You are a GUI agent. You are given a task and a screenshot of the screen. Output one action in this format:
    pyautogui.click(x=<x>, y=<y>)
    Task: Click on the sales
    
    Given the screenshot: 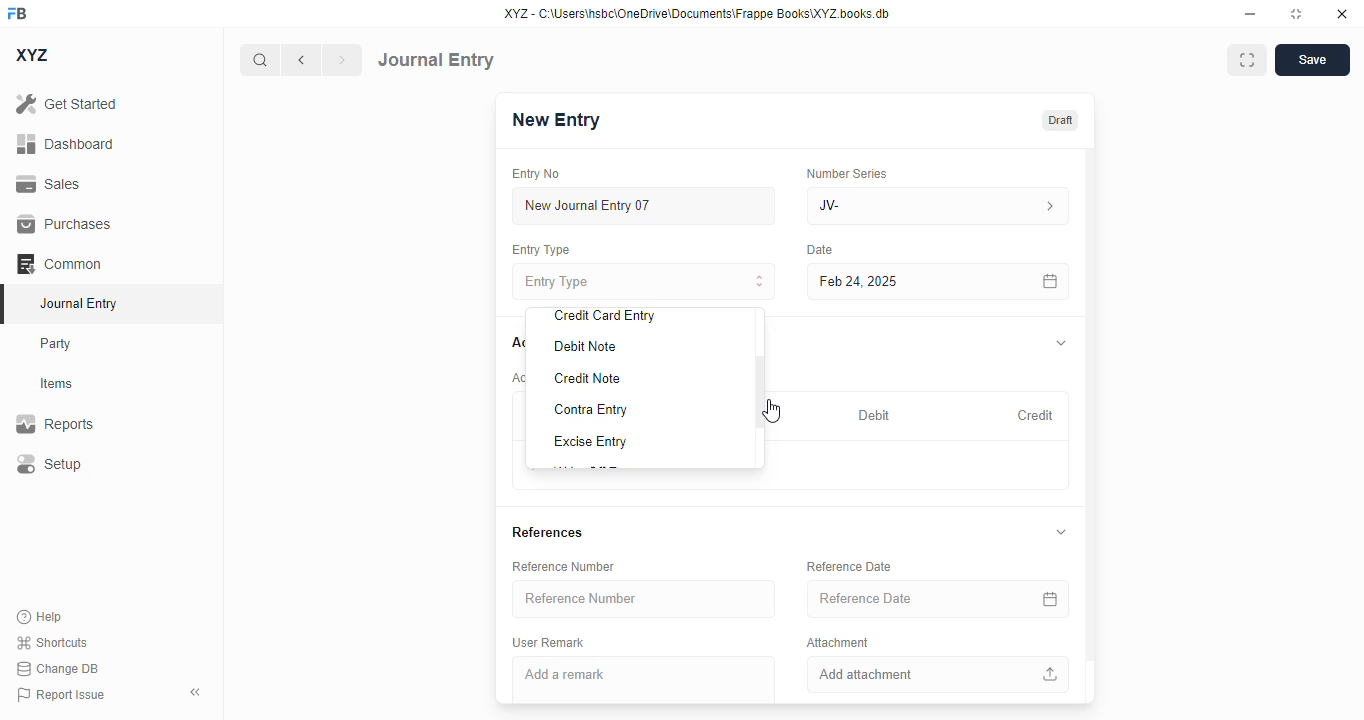 What is the action you would take?
    pyautogui.click(x=48, y=184)
    